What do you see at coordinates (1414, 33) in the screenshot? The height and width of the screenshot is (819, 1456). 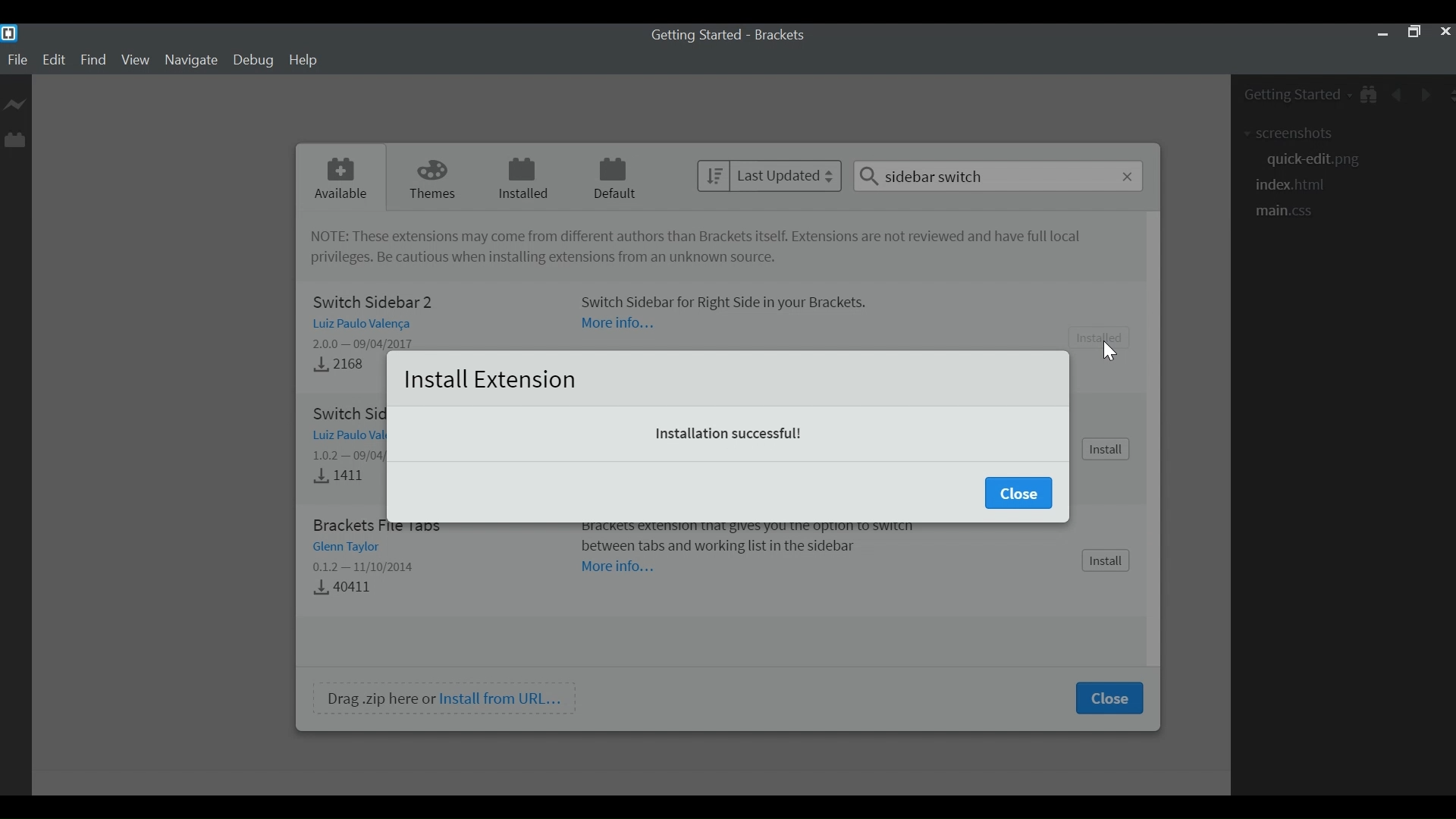 I see `Restore` at bounding box center [1414, 33].